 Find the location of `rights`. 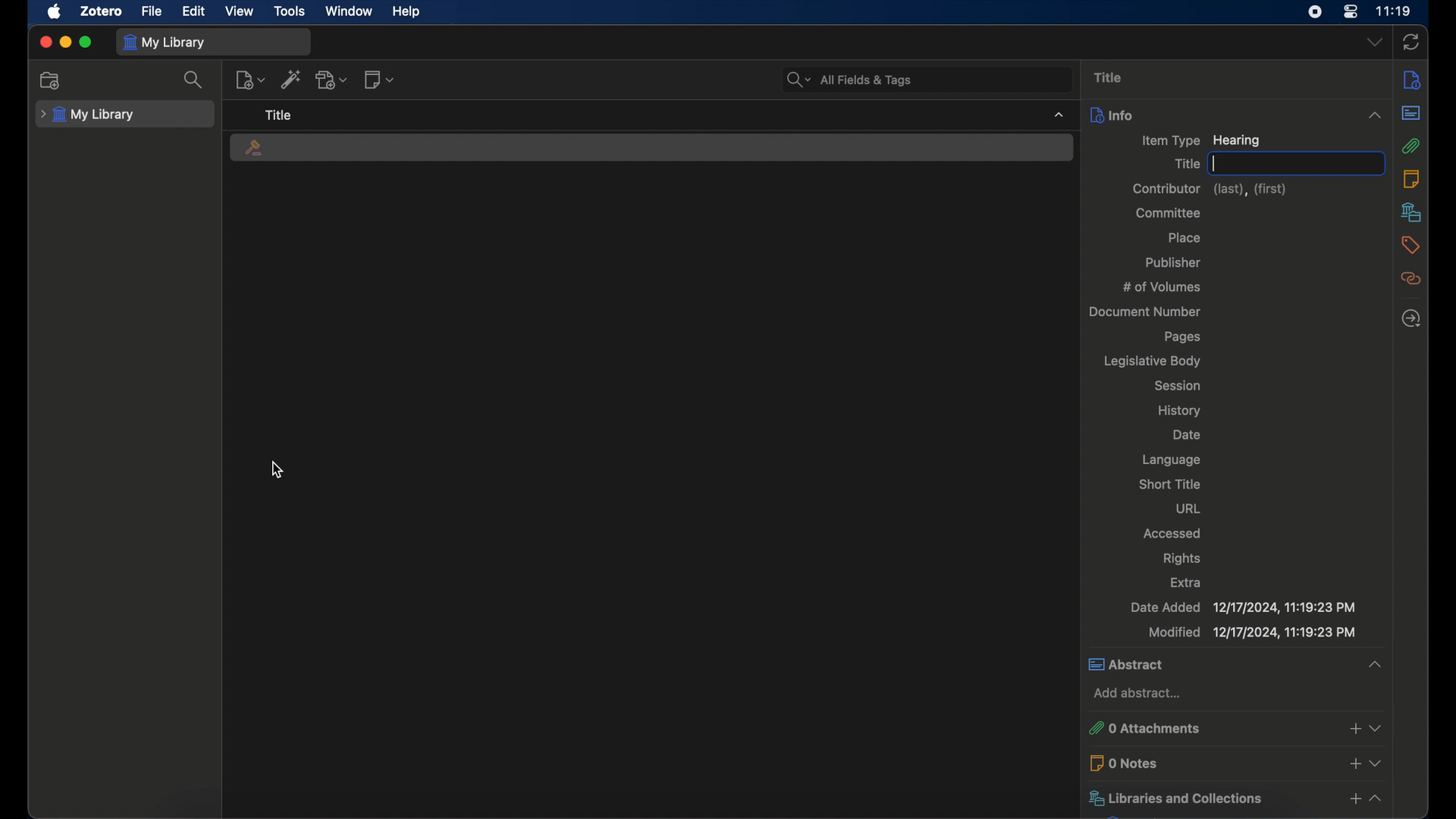

rights is located at coordinates (1182, 559).